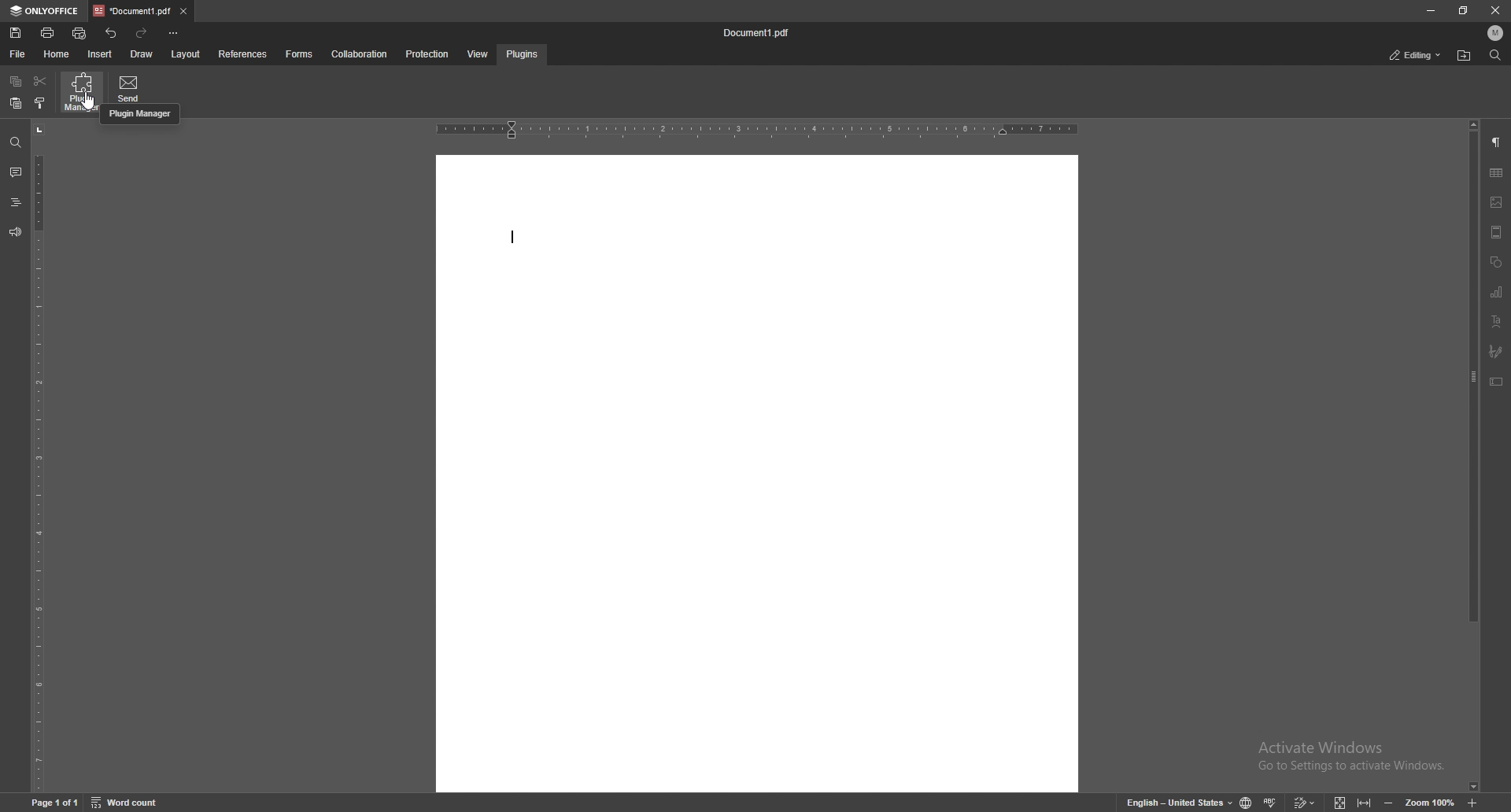 The height and width of the screenshot is (812, 1511). I want to click on forms, so click(300, 54).